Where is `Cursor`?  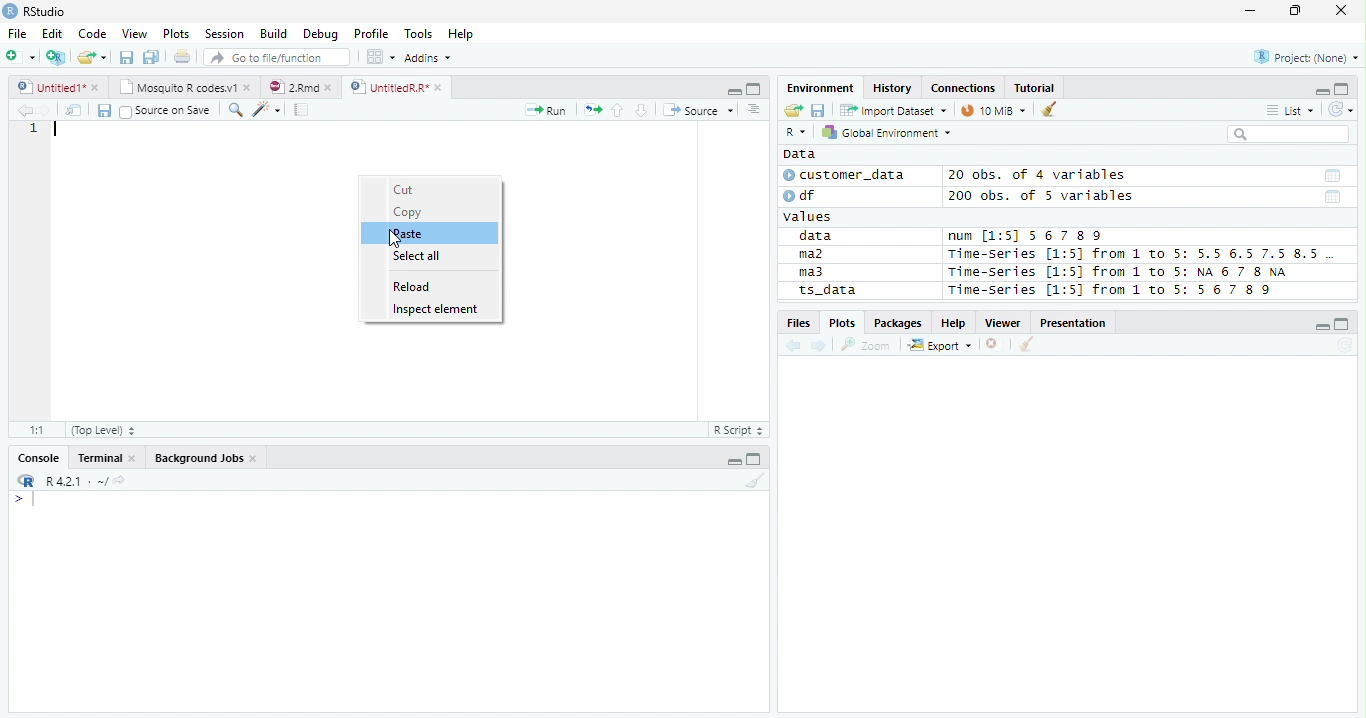 Cursor is located at coordinates (391, 237).